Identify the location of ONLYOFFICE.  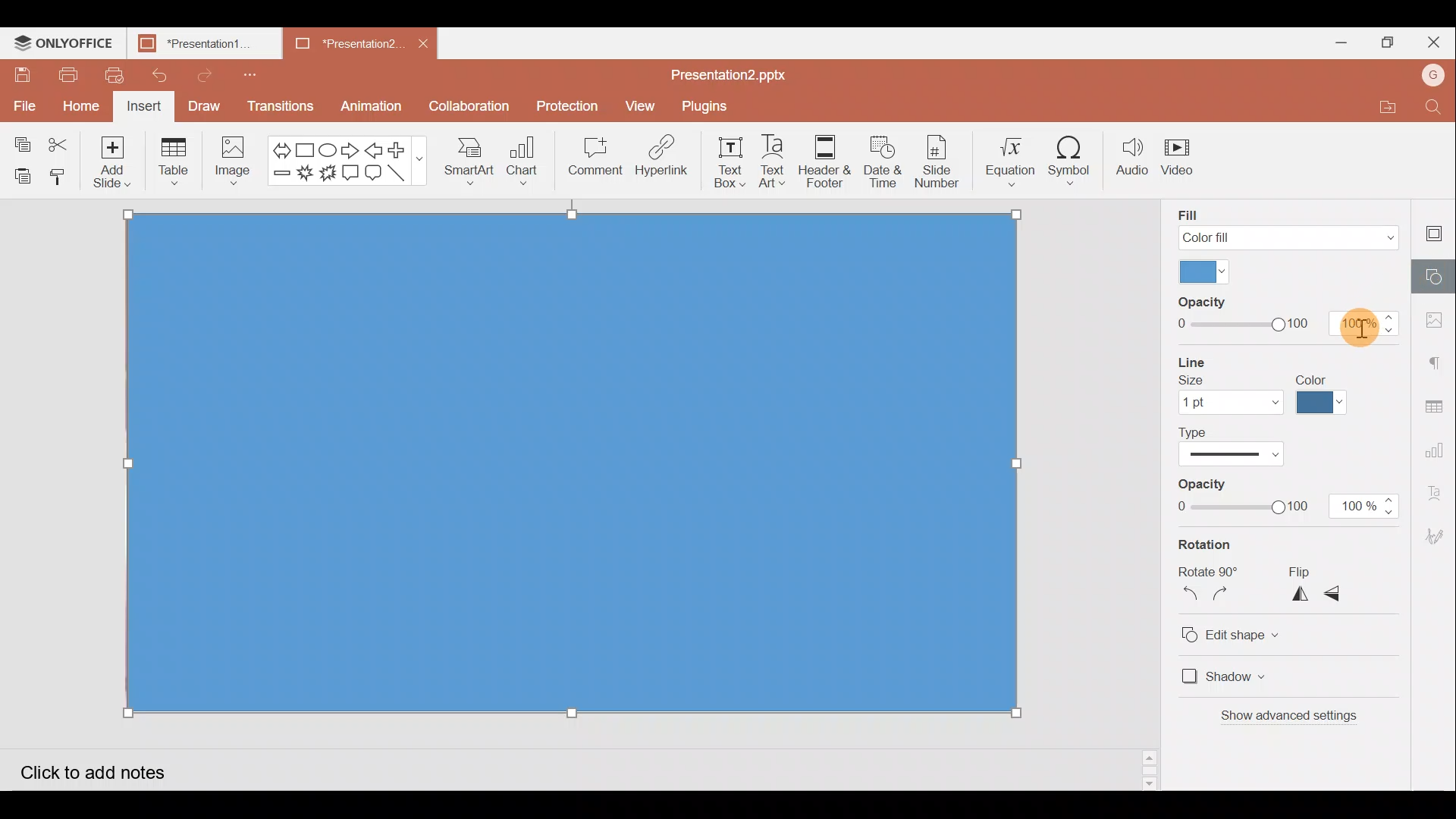
(64, 42).